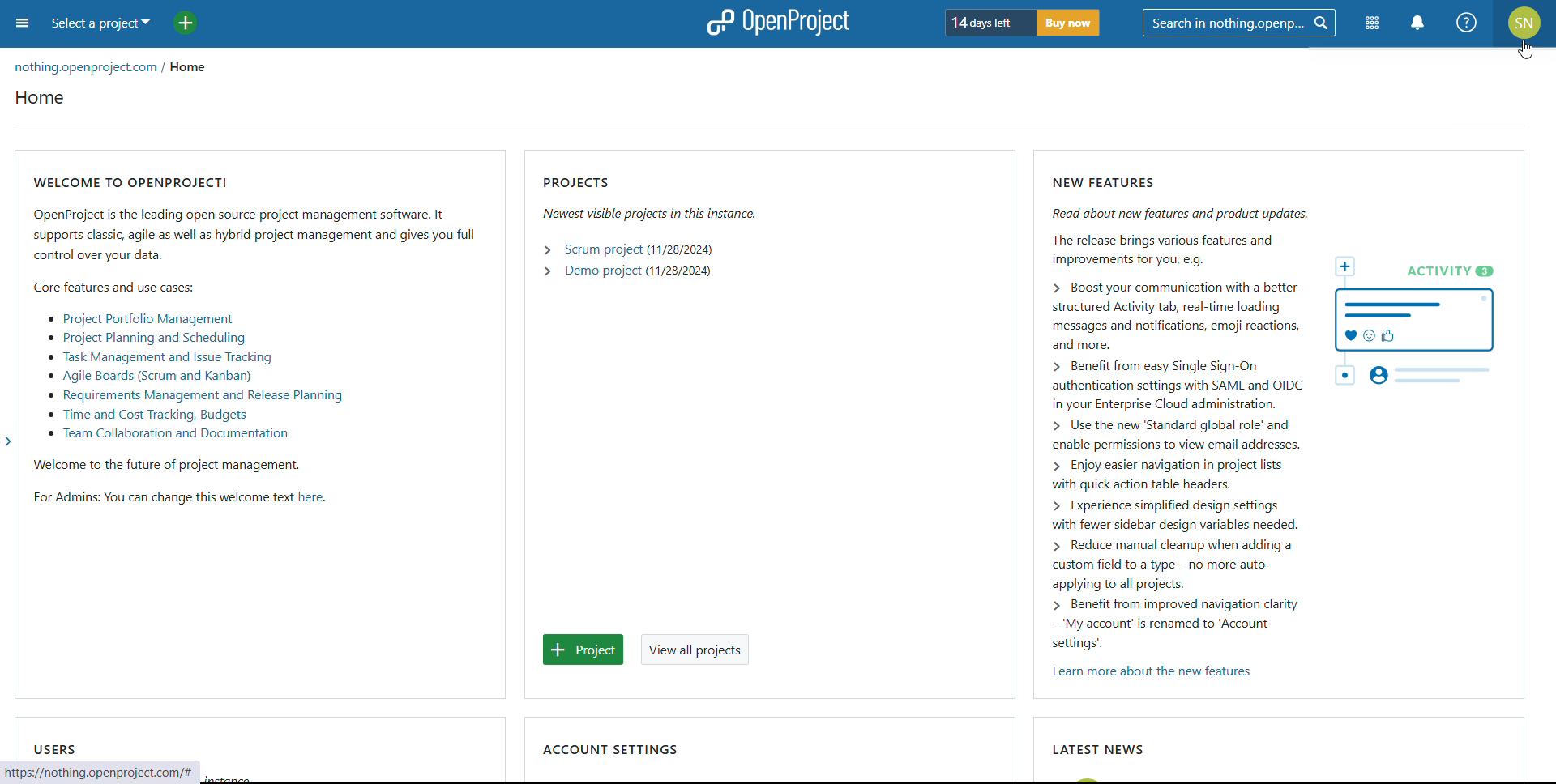 The height and width of the screenshot is (784, 1556). I want to click on cursor, so click(1525, 50).